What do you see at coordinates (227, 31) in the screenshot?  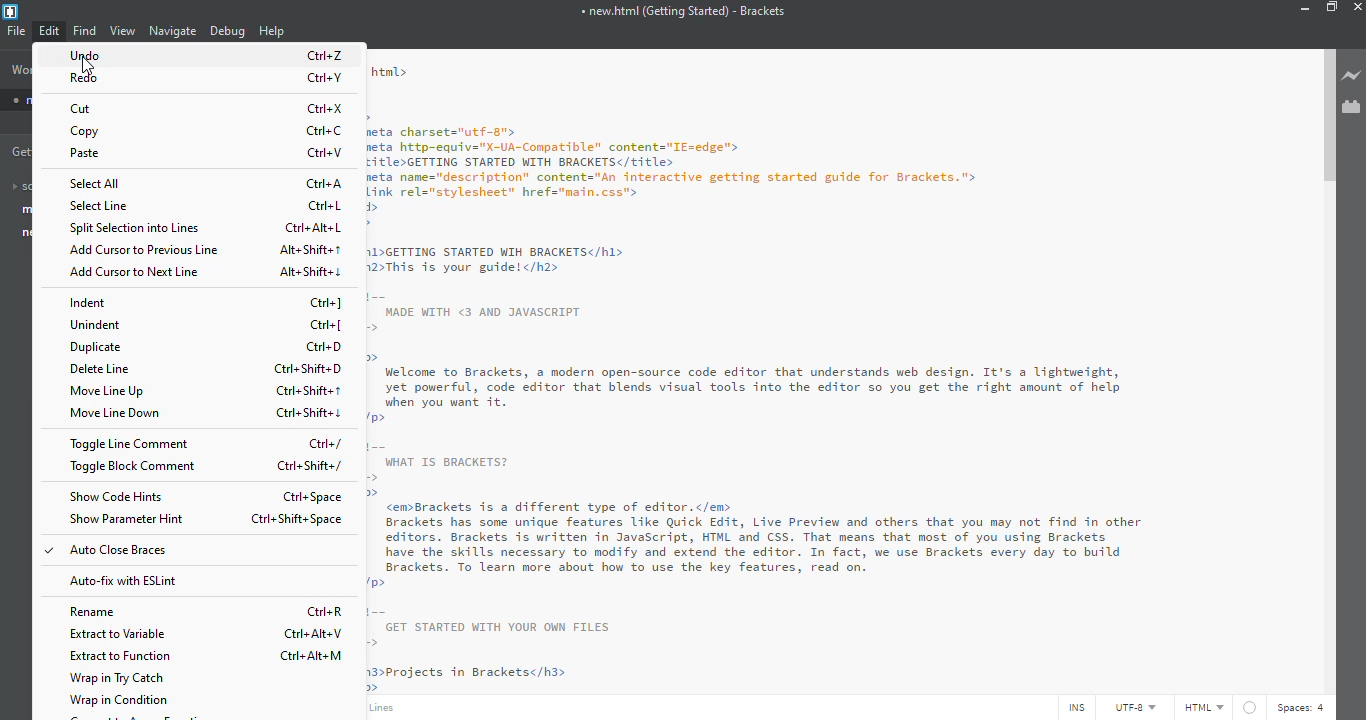 I see `debug` at bounding box center [227, 31].